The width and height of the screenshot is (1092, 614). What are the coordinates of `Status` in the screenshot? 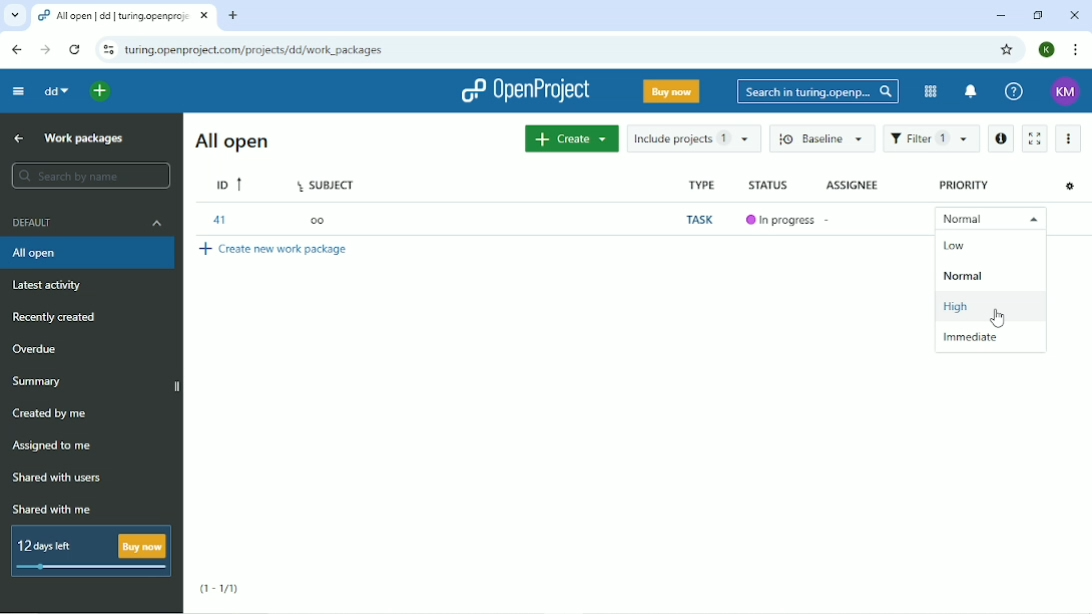 It's located at (771, 186).